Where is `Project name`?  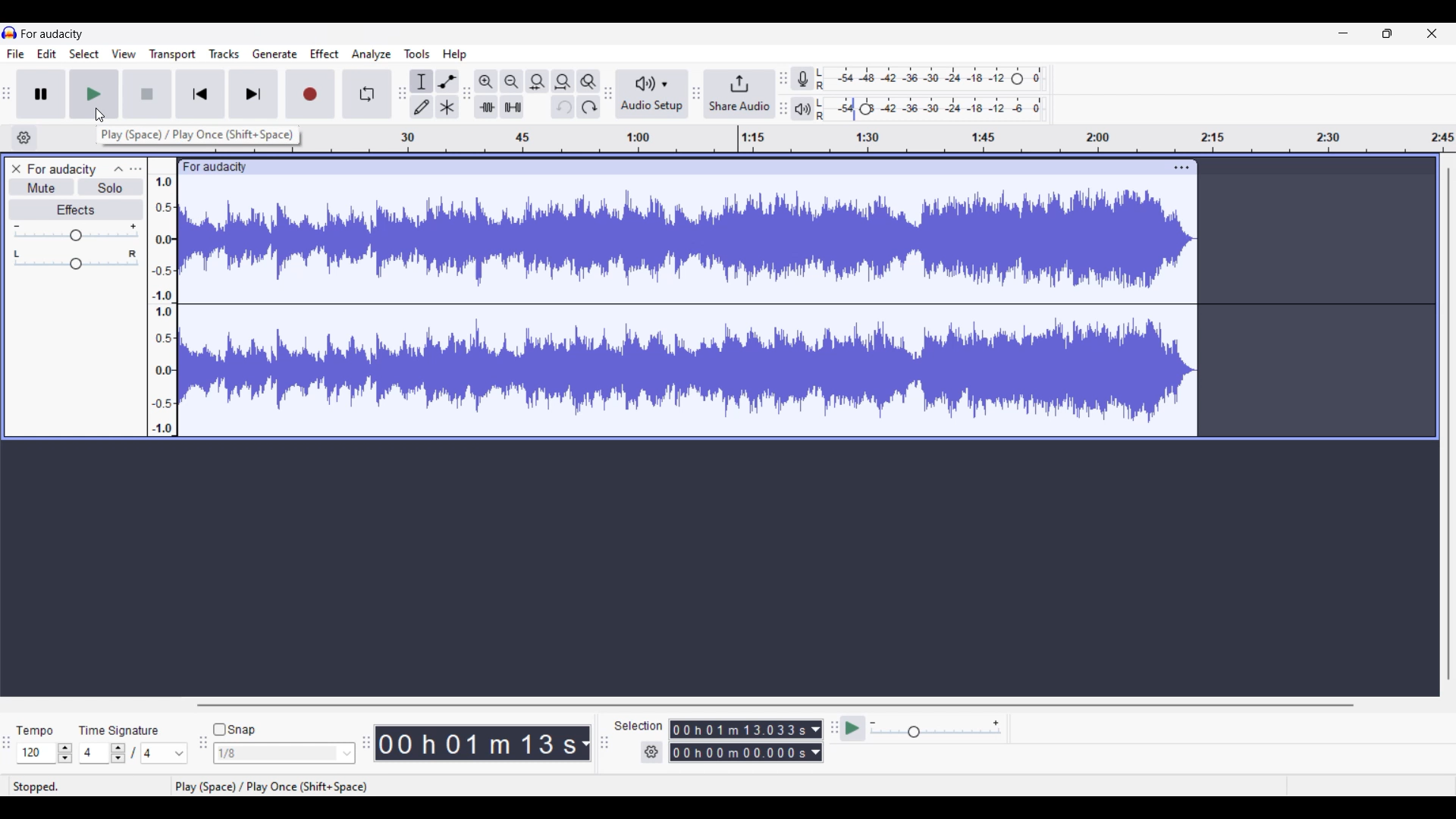
Project name is located at coordinates (52, 34).